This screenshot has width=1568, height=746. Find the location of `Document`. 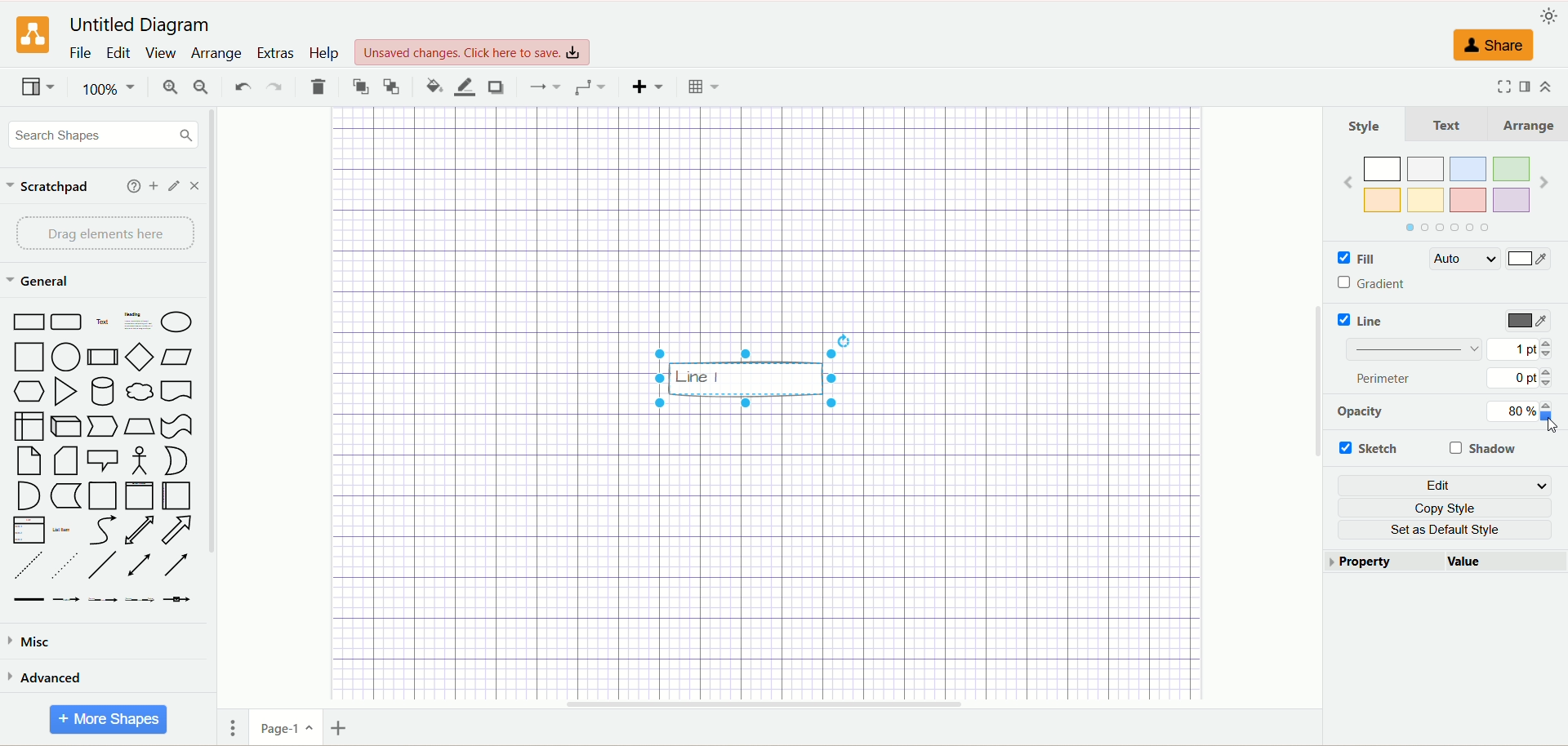

Document is located at coordinates (177, 389).